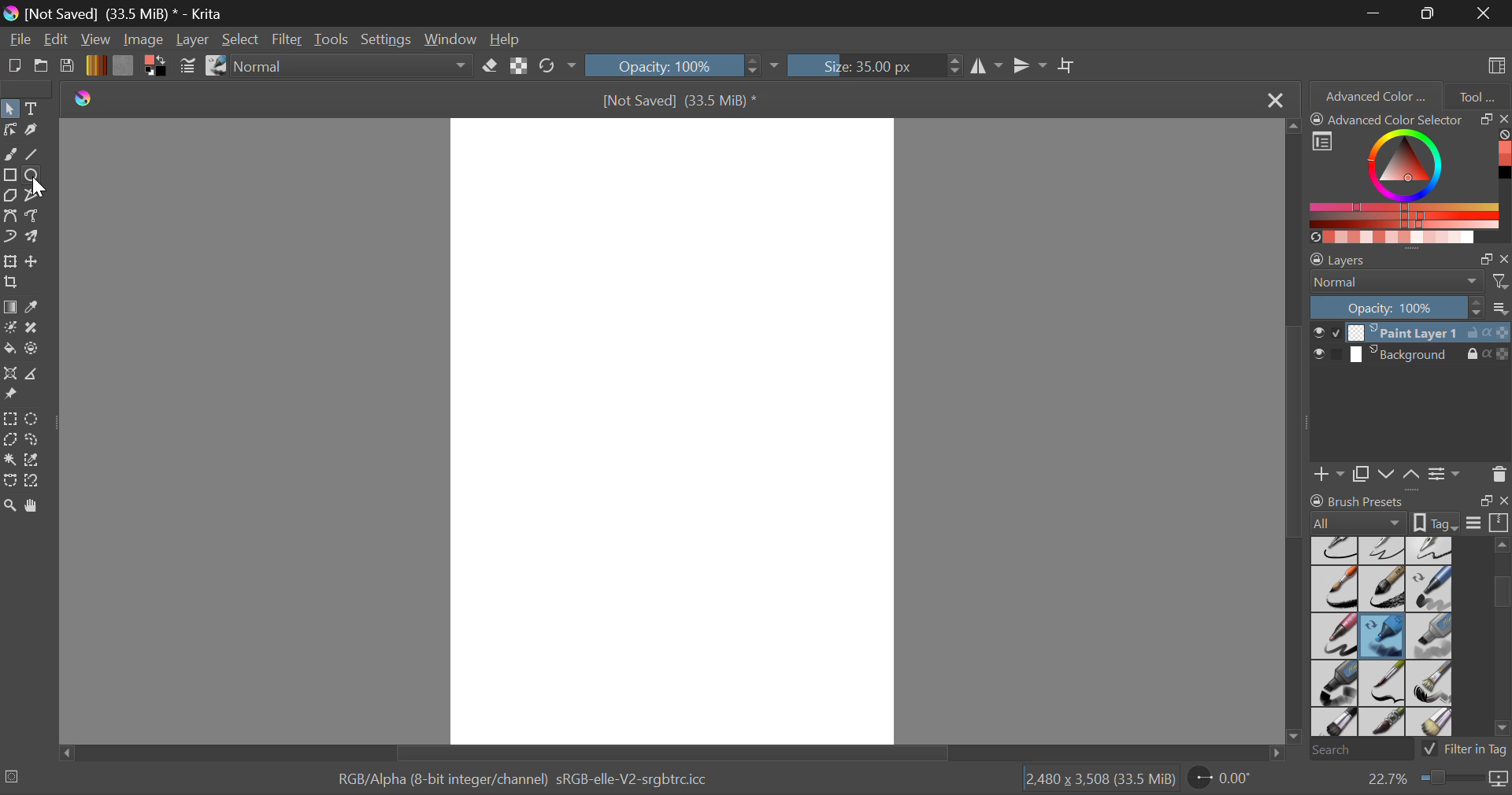 This screenshot has height=795, width=1512. I want to click on Marker Medium, so click(1431, 636).